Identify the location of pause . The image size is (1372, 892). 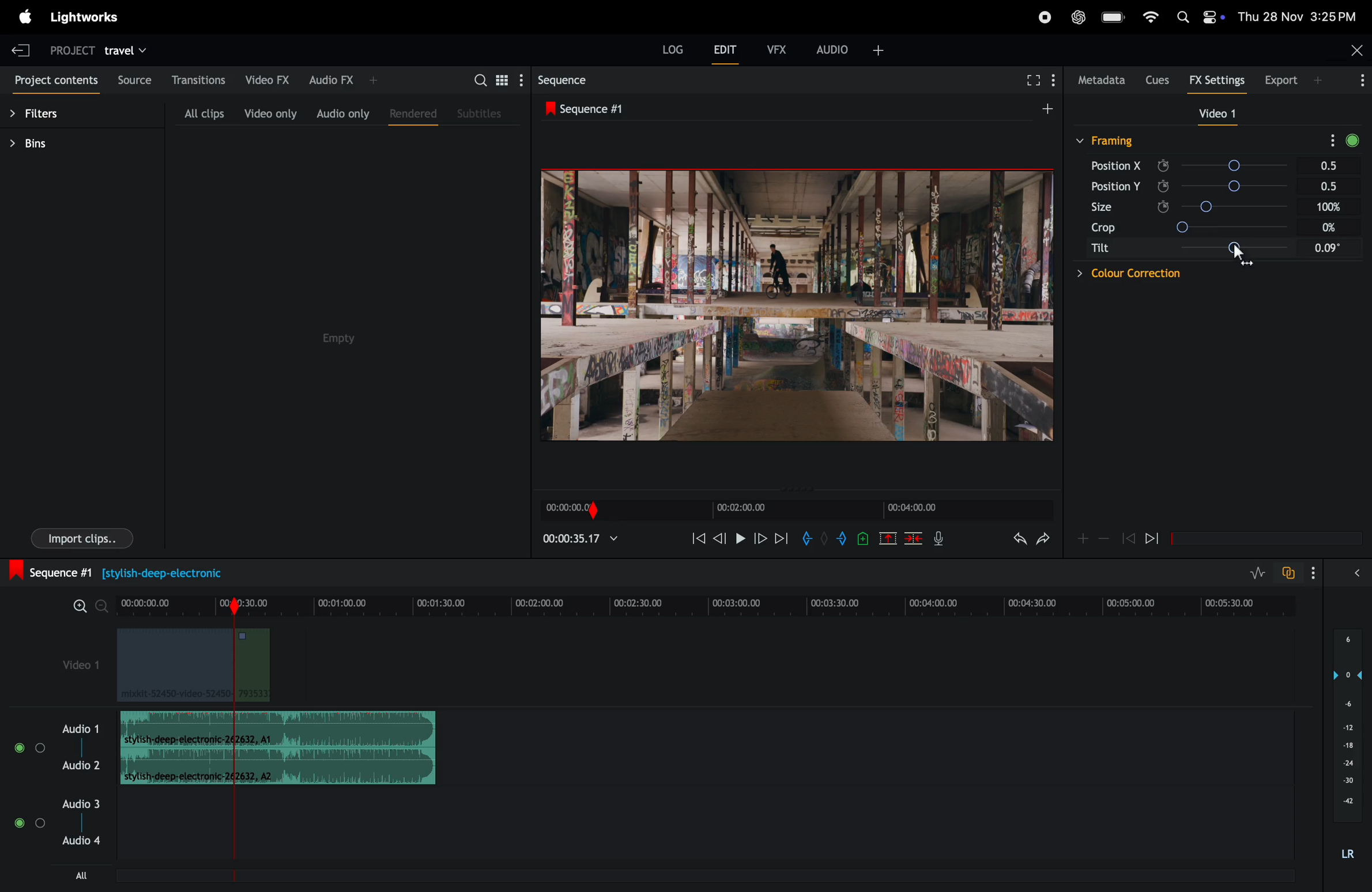
(740, 540).